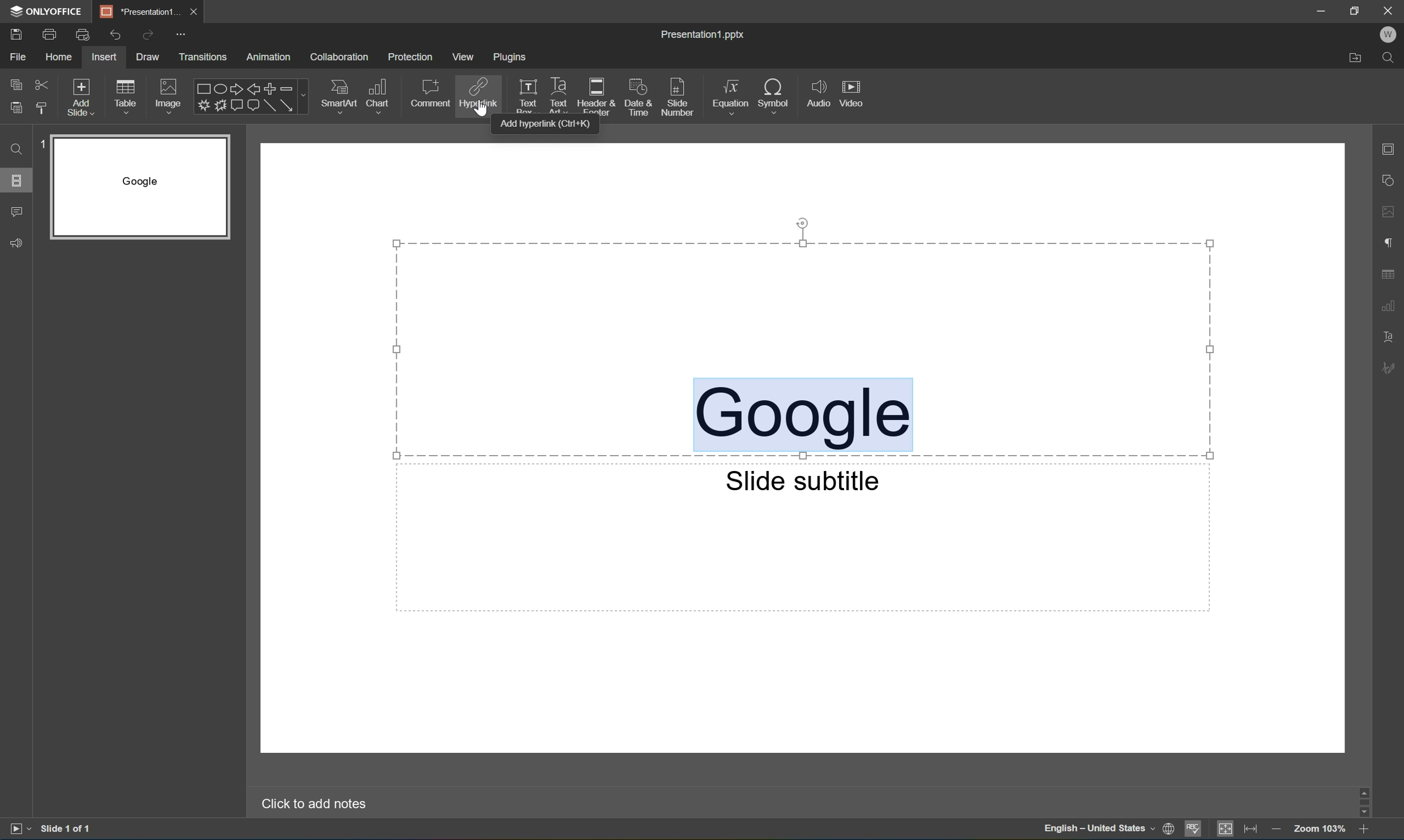 This screenshot has height=840, width=1404. Describe the element at coordinates (197, 11) in the screenshot. I see `Close` at that location.